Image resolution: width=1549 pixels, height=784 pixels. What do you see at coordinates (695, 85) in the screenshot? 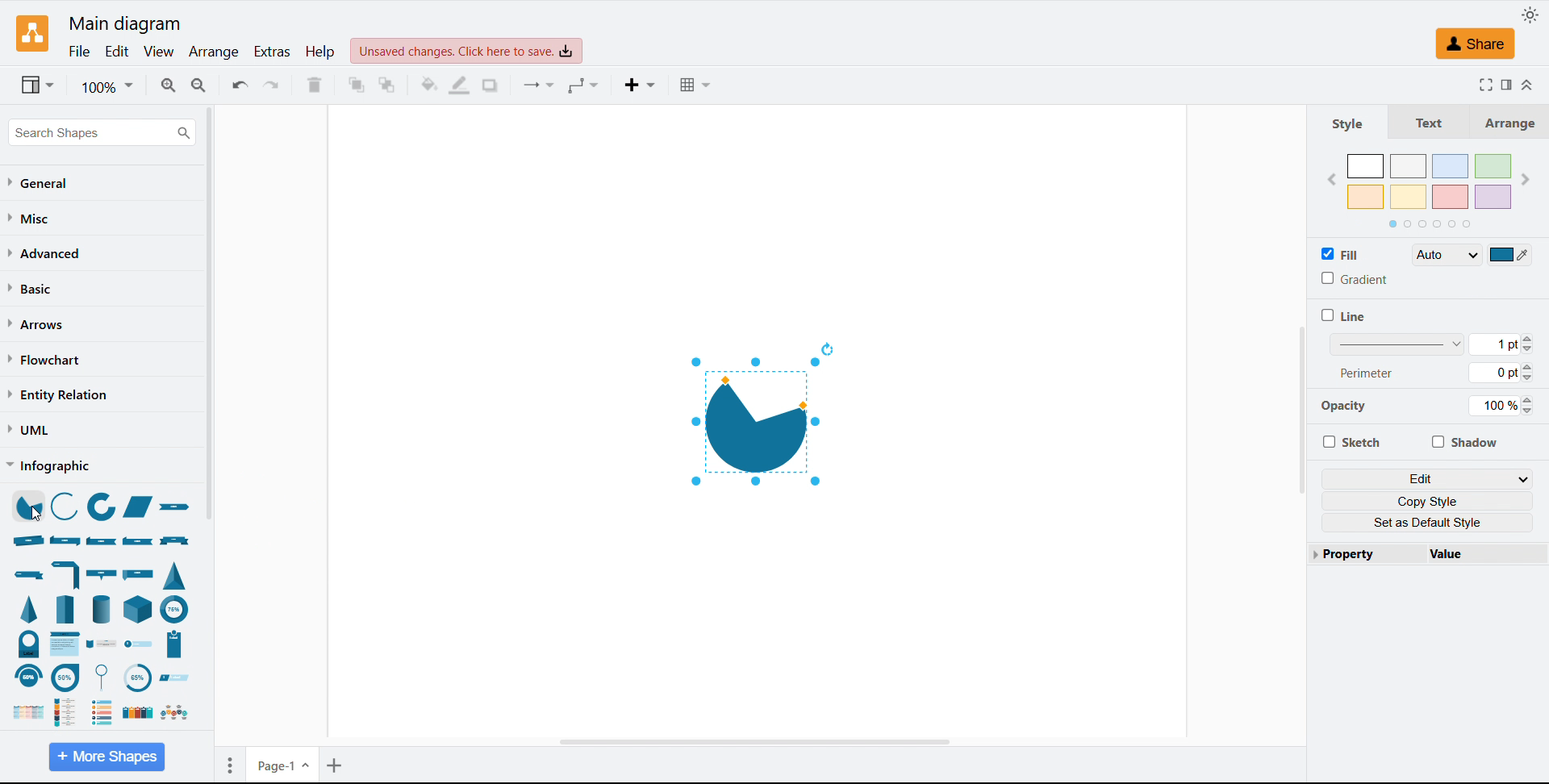
I see `Table ` at bounding box center [695, 85].